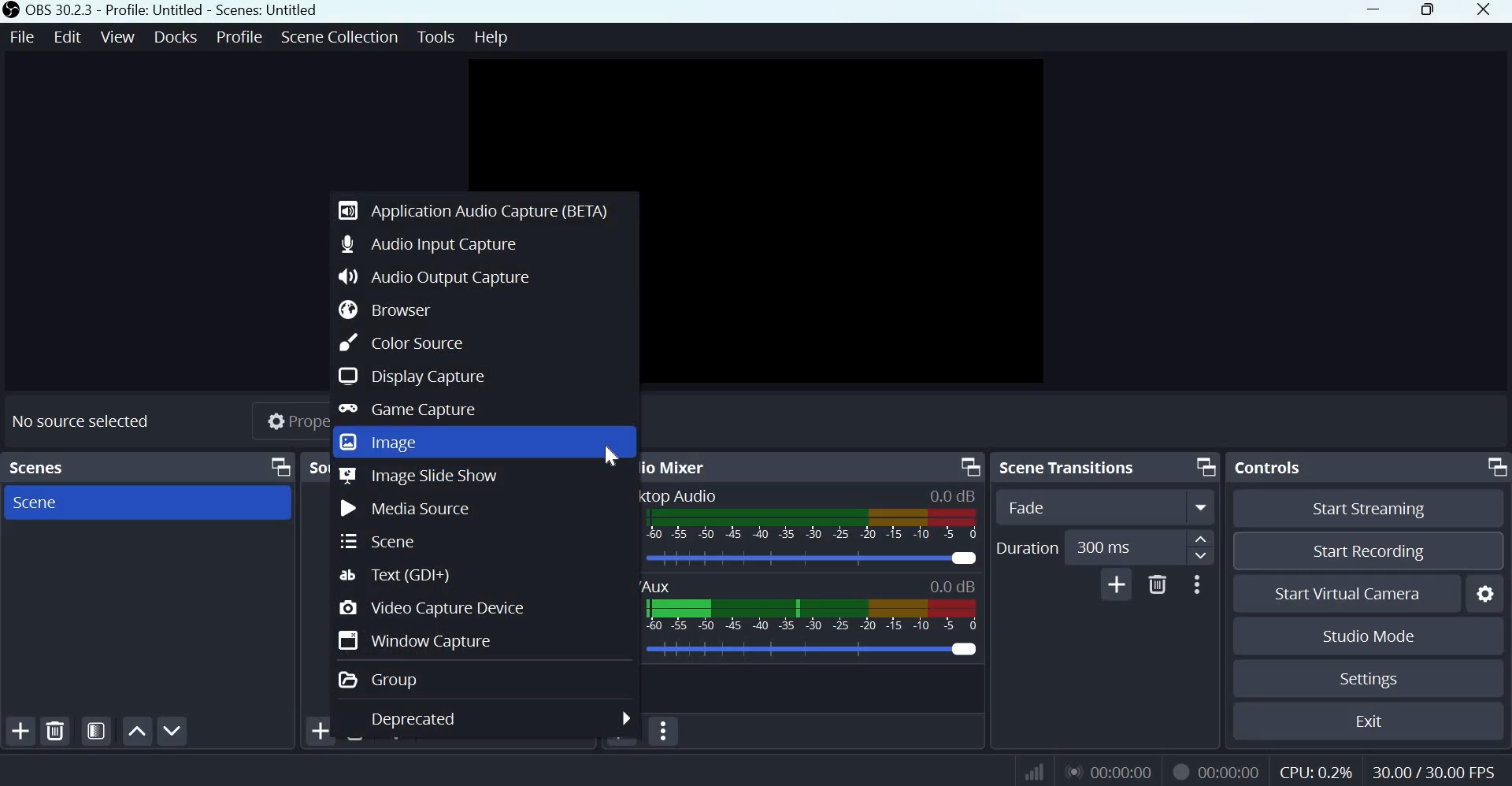  Describe the element at coordinates (812, 525) in the screenshot. I see `Volume meter` at that location.